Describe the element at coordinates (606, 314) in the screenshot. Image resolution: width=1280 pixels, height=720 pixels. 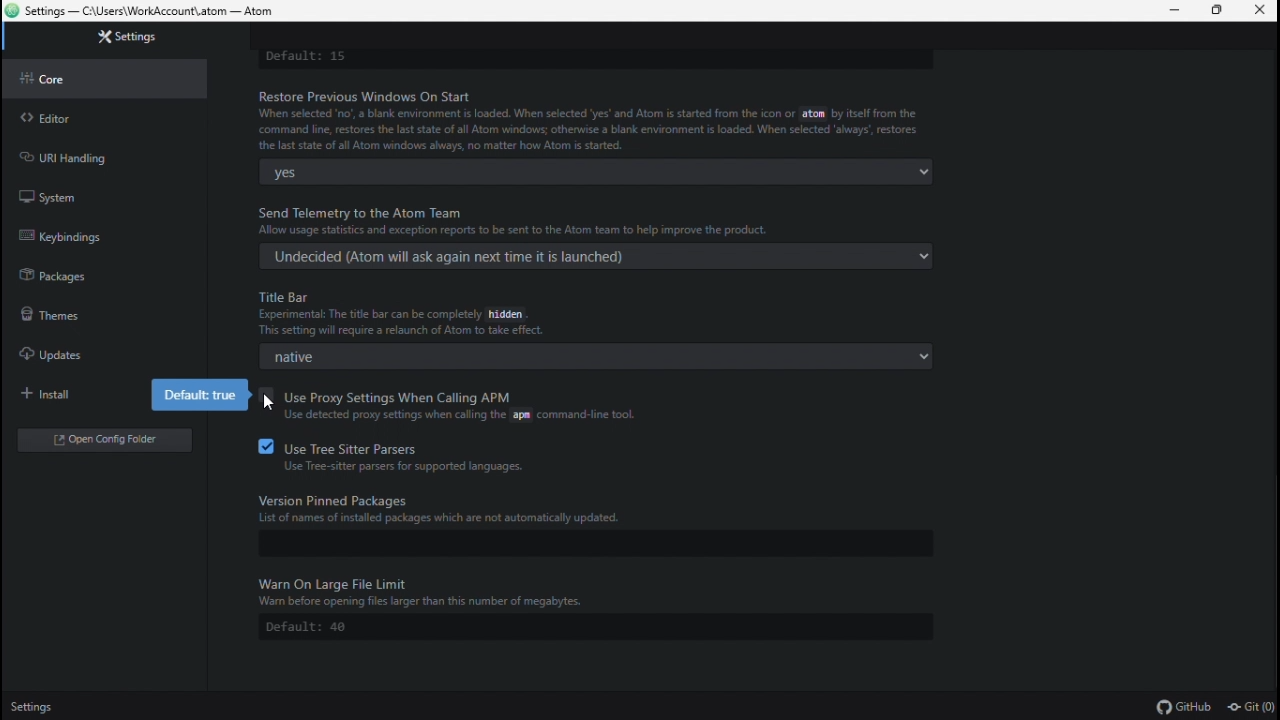
I see `Title bar` at that location.